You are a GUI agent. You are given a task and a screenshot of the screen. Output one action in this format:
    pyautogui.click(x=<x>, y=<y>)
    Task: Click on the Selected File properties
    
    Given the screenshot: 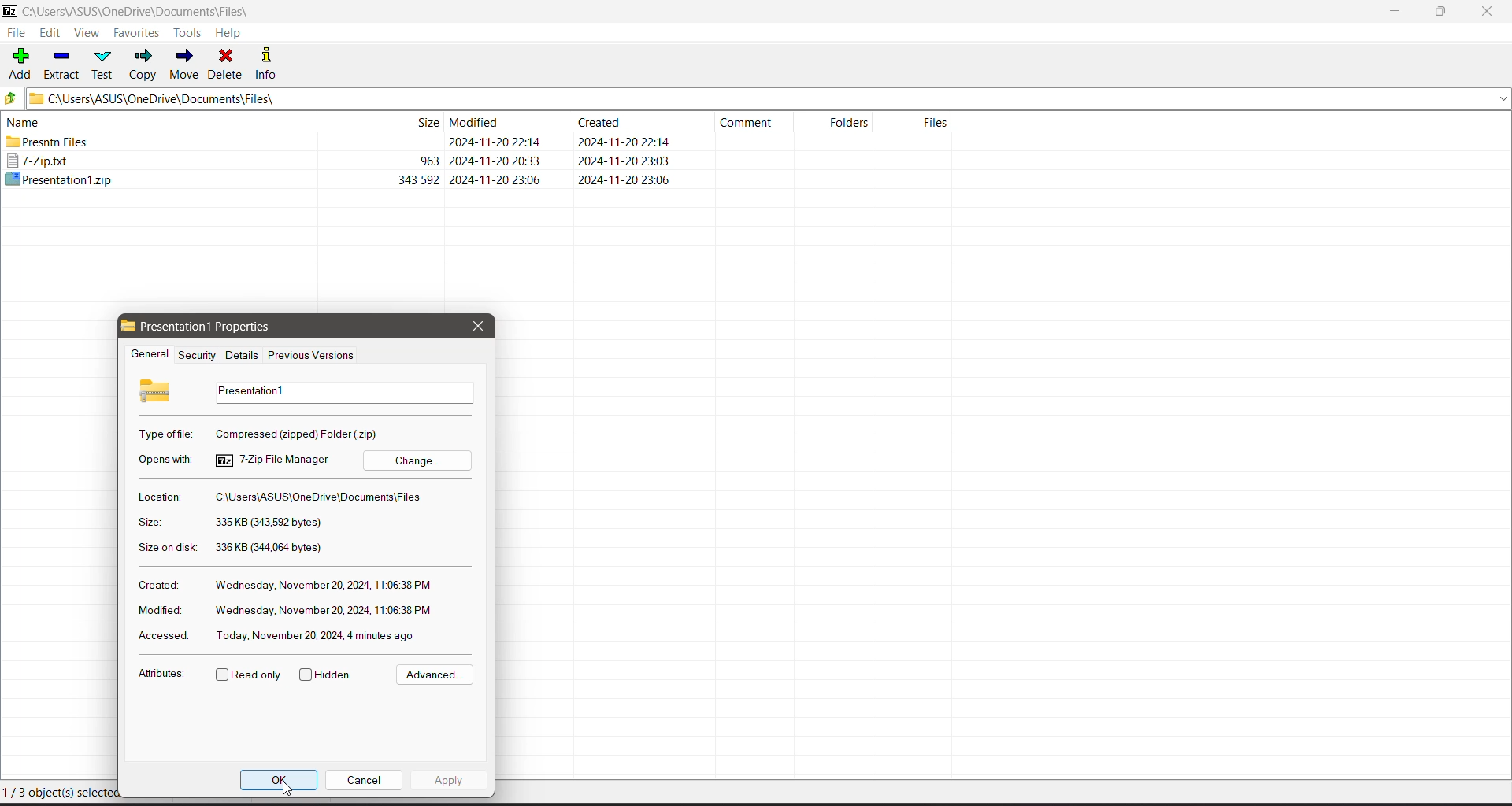 What is the action you would take?
    pyautogui.click(x=219, y=327)
    